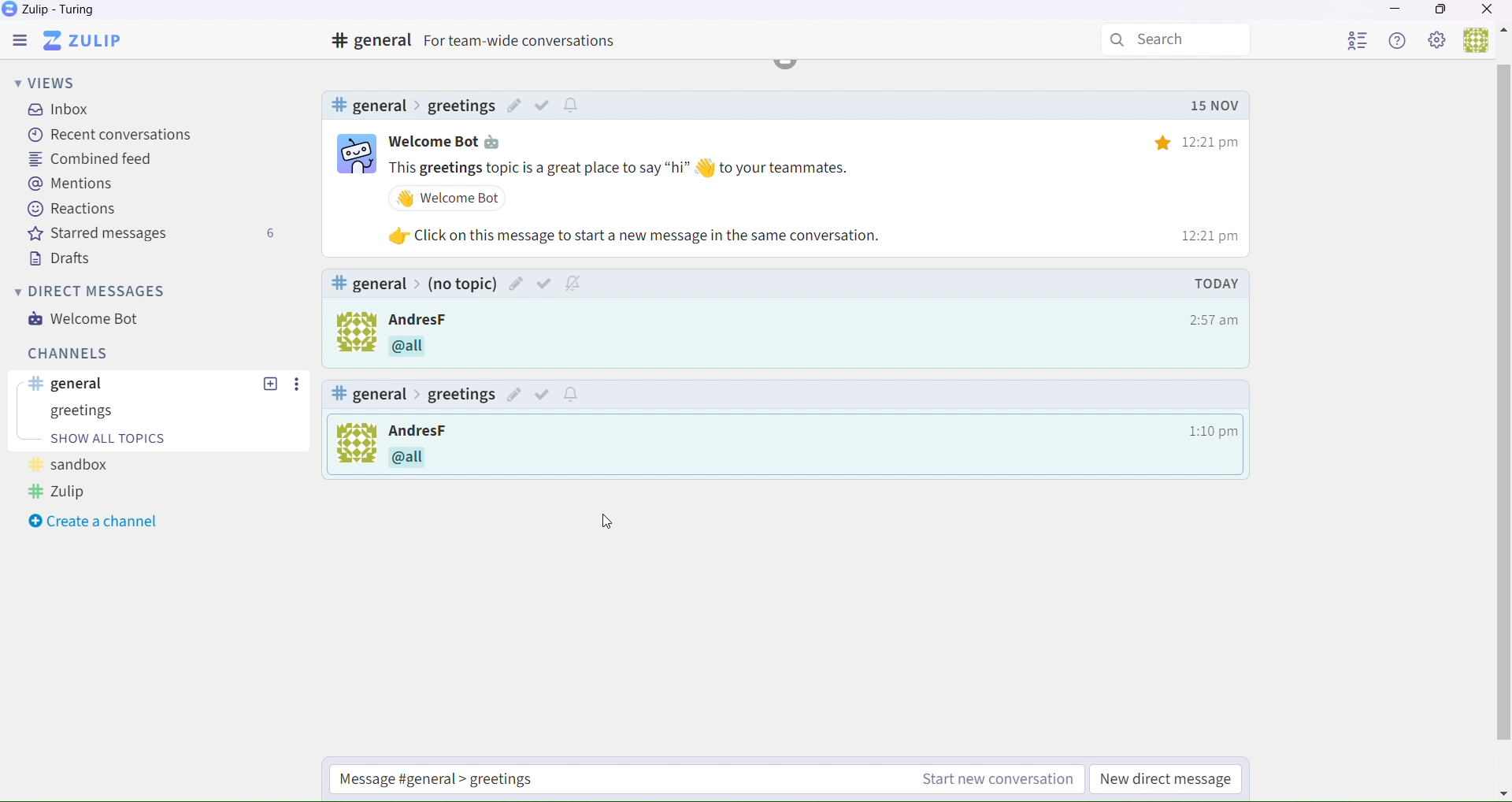 This screenshot has width=1512, height=802. What do you see at coordinates (351, 331) in the screenshot?
I see `logo` at bounding box center [351, 331].